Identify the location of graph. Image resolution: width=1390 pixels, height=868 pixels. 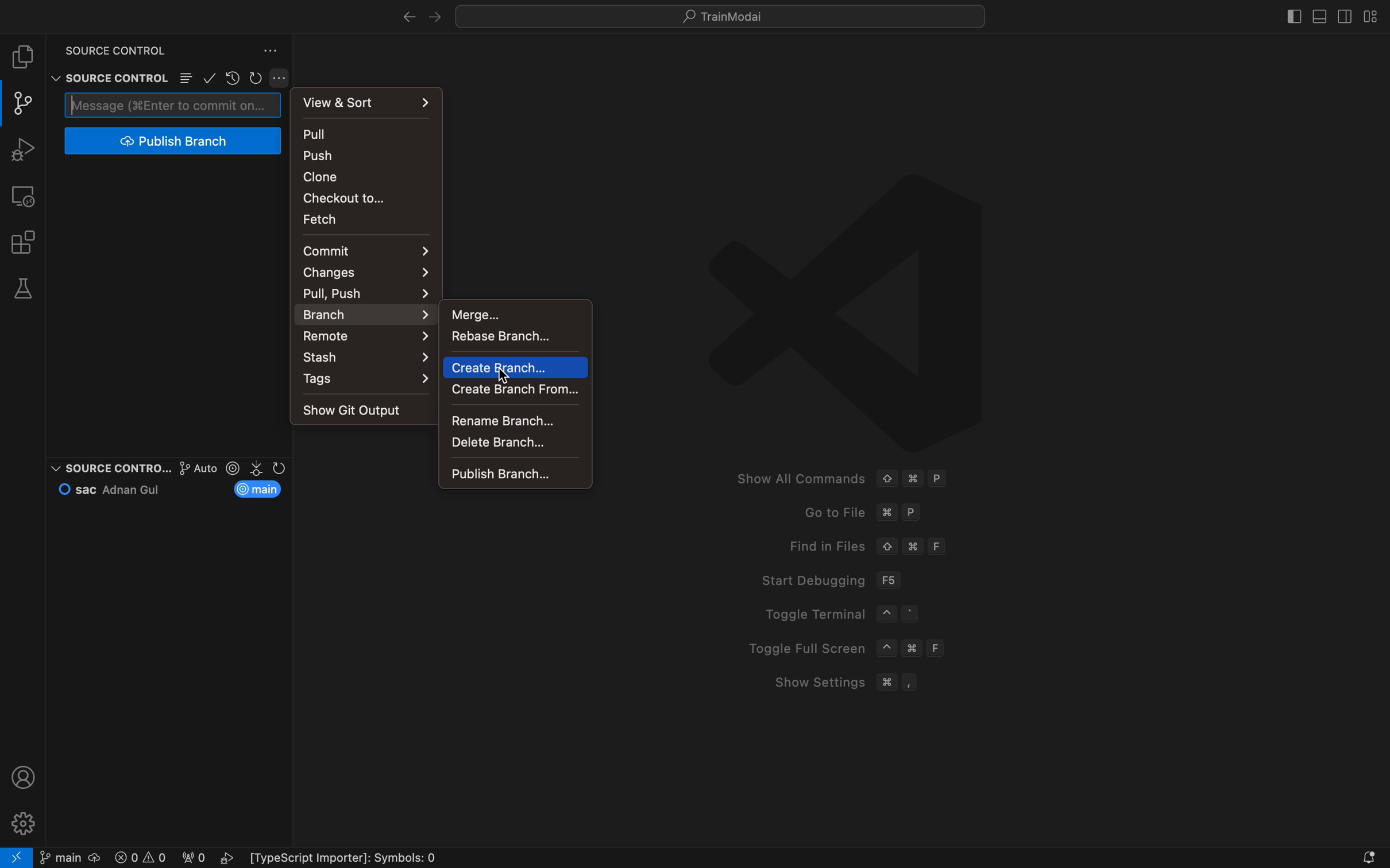
(184, 467).